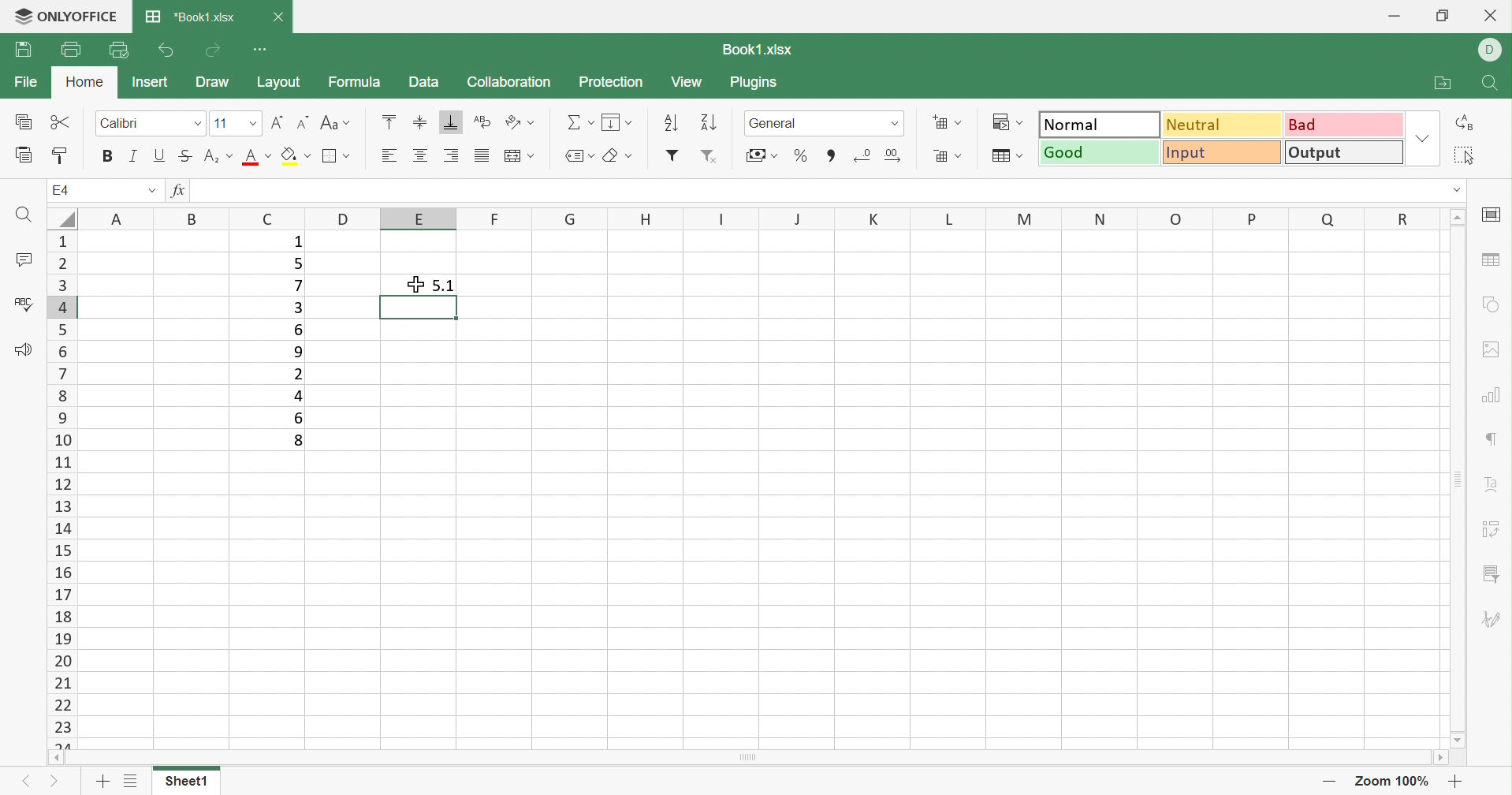 Image resolution: width=1512 pixels, height=795 pixels. I want to click on Format table as template, so click(1009, 155).